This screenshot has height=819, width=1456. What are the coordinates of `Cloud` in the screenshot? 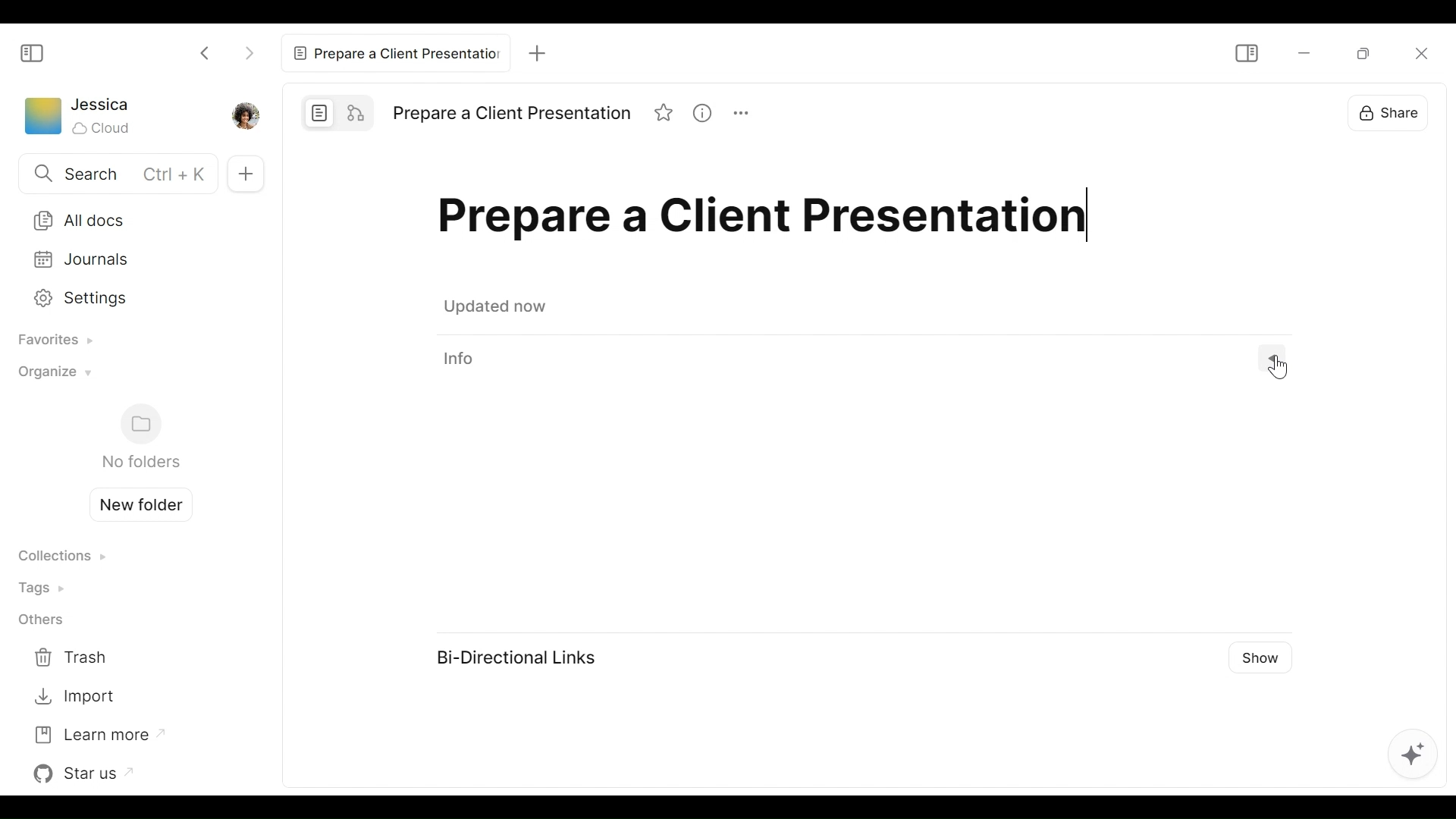 It's located at (103, 128).